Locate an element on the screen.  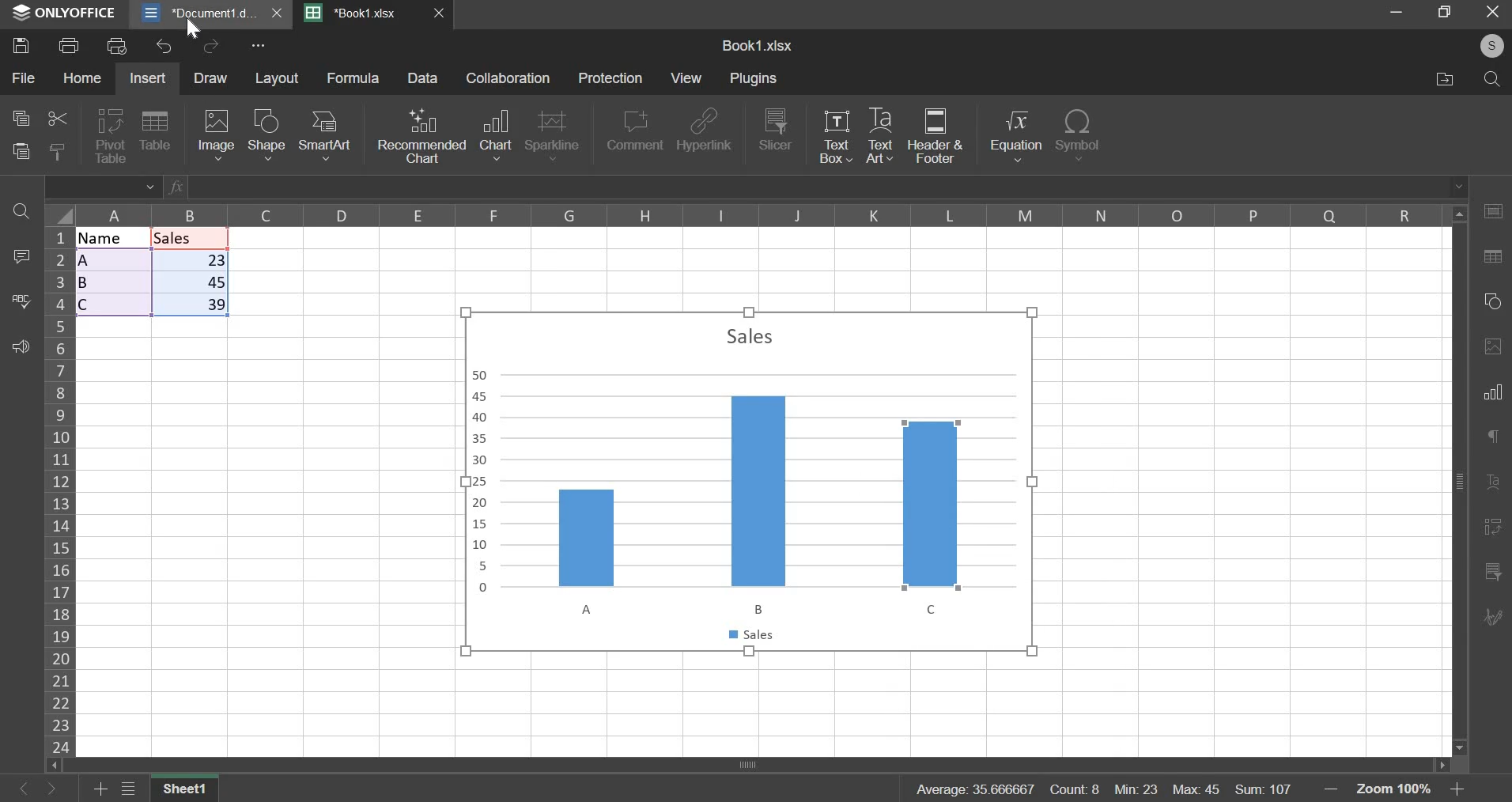
References/Bookmarks Tool is located at coordinates (1490, 528).